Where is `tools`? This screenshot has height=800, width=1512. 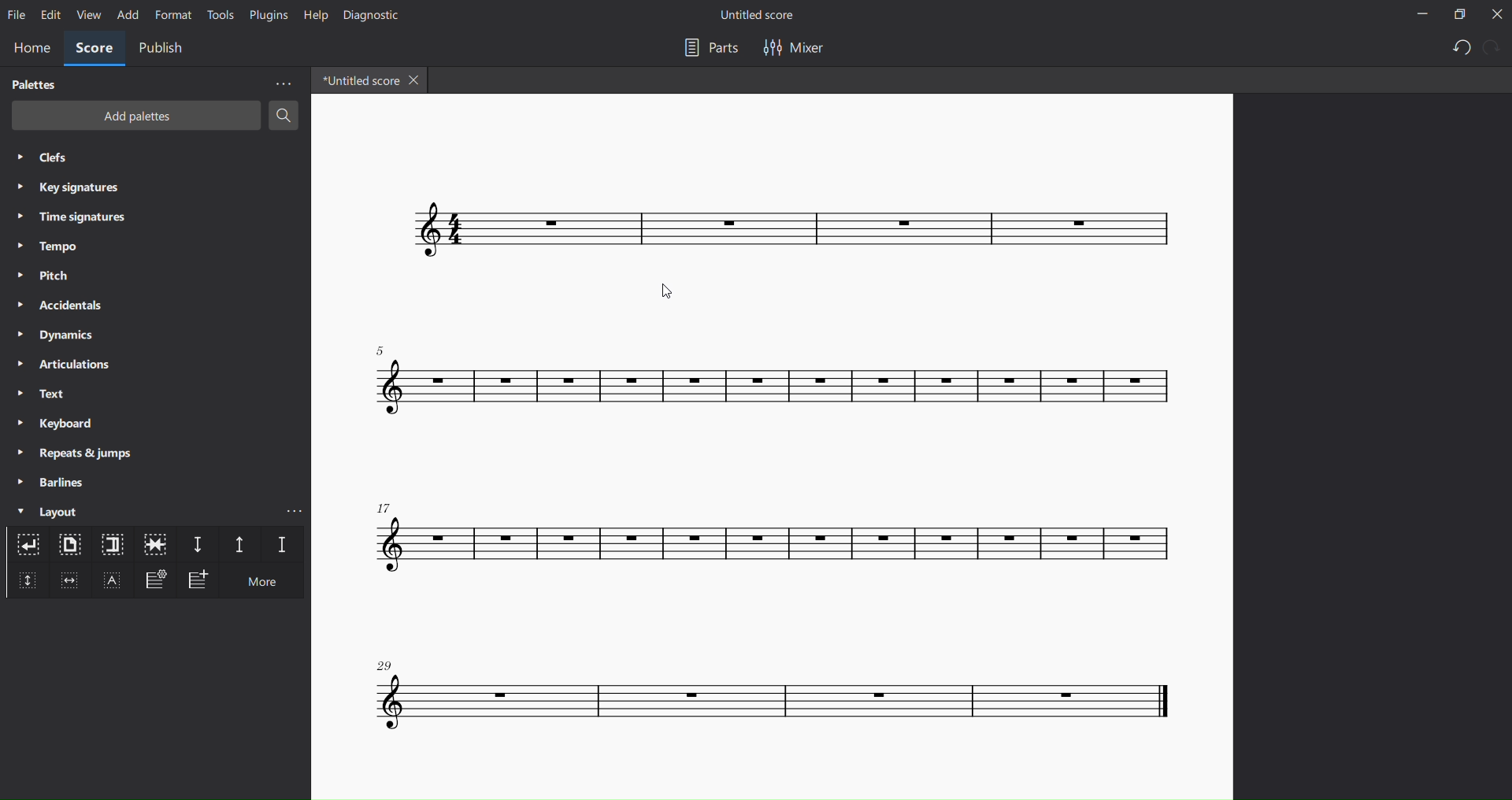
tools is located at coordinates (218, 16).